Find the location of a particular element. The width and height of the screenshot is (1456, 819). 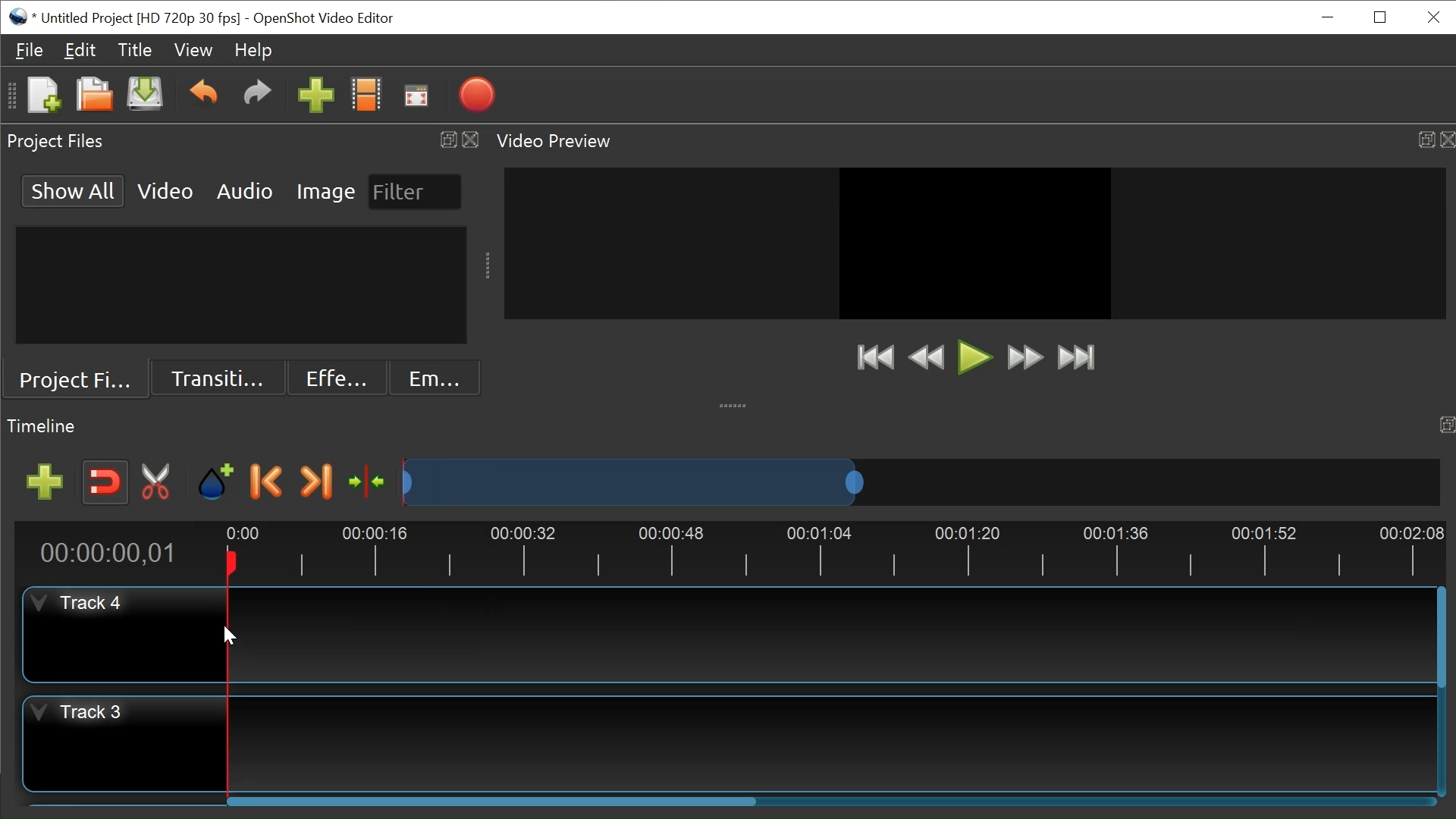

Timeline is located at coordinates (732, 550).